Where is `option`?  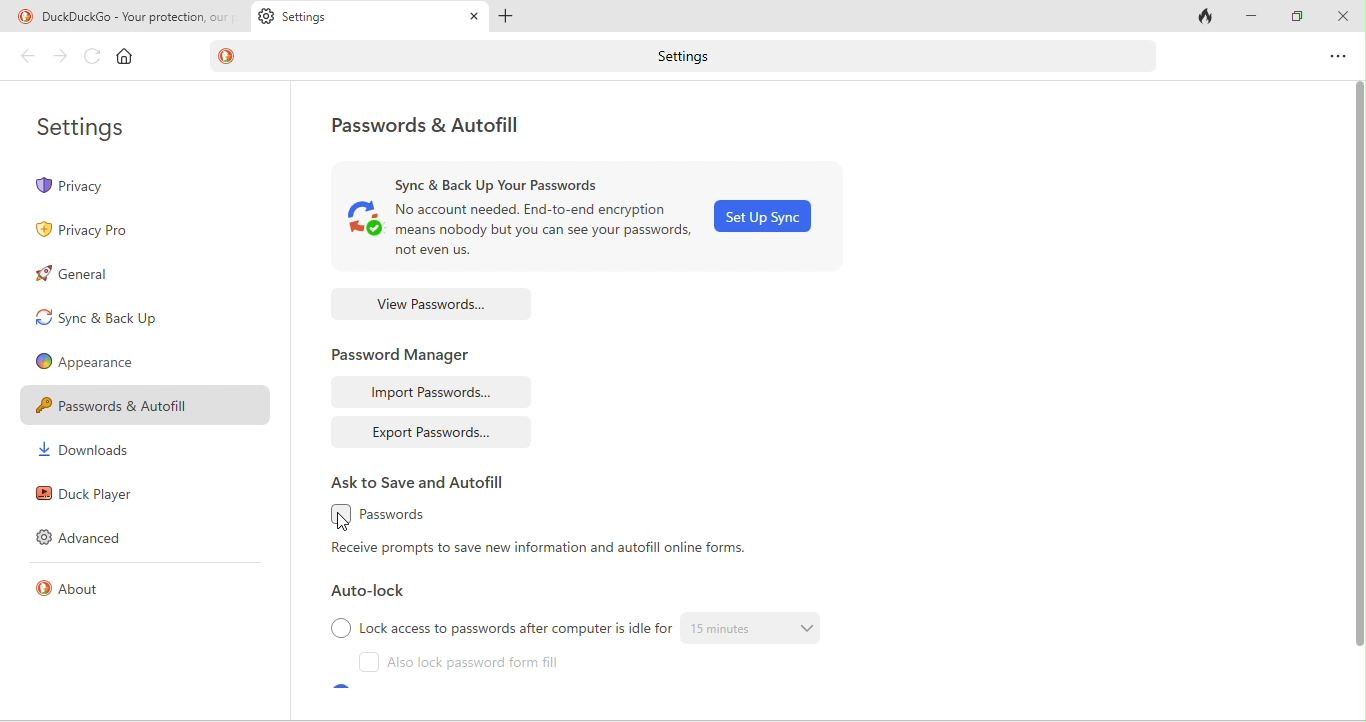 option is located at coordinates (1336, 57).